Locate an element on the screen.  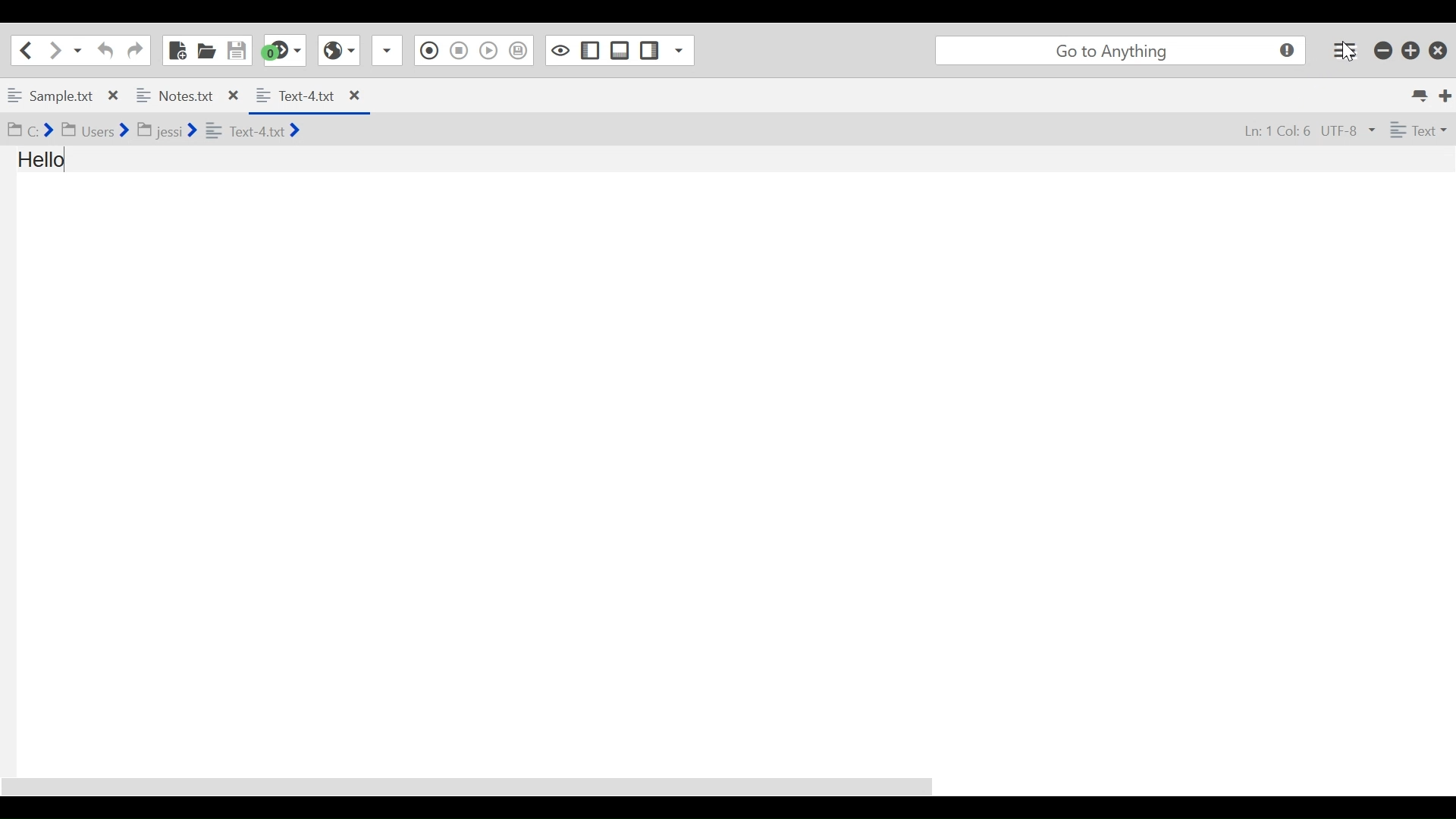
minimize is located at coordinates (1382, 50).